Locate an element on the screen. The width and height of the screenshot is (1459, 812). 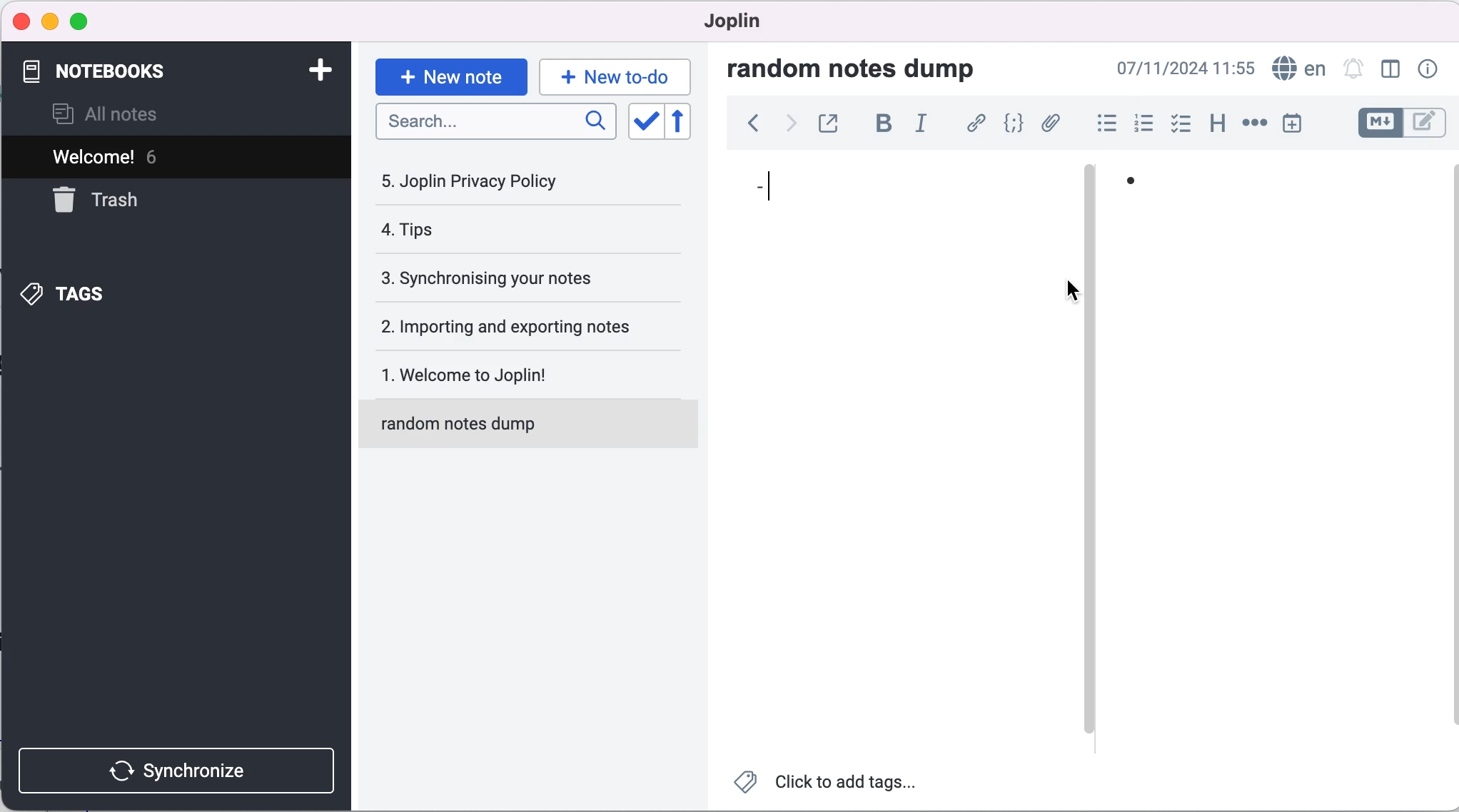
notebooks is located at coordinates (141, 72).